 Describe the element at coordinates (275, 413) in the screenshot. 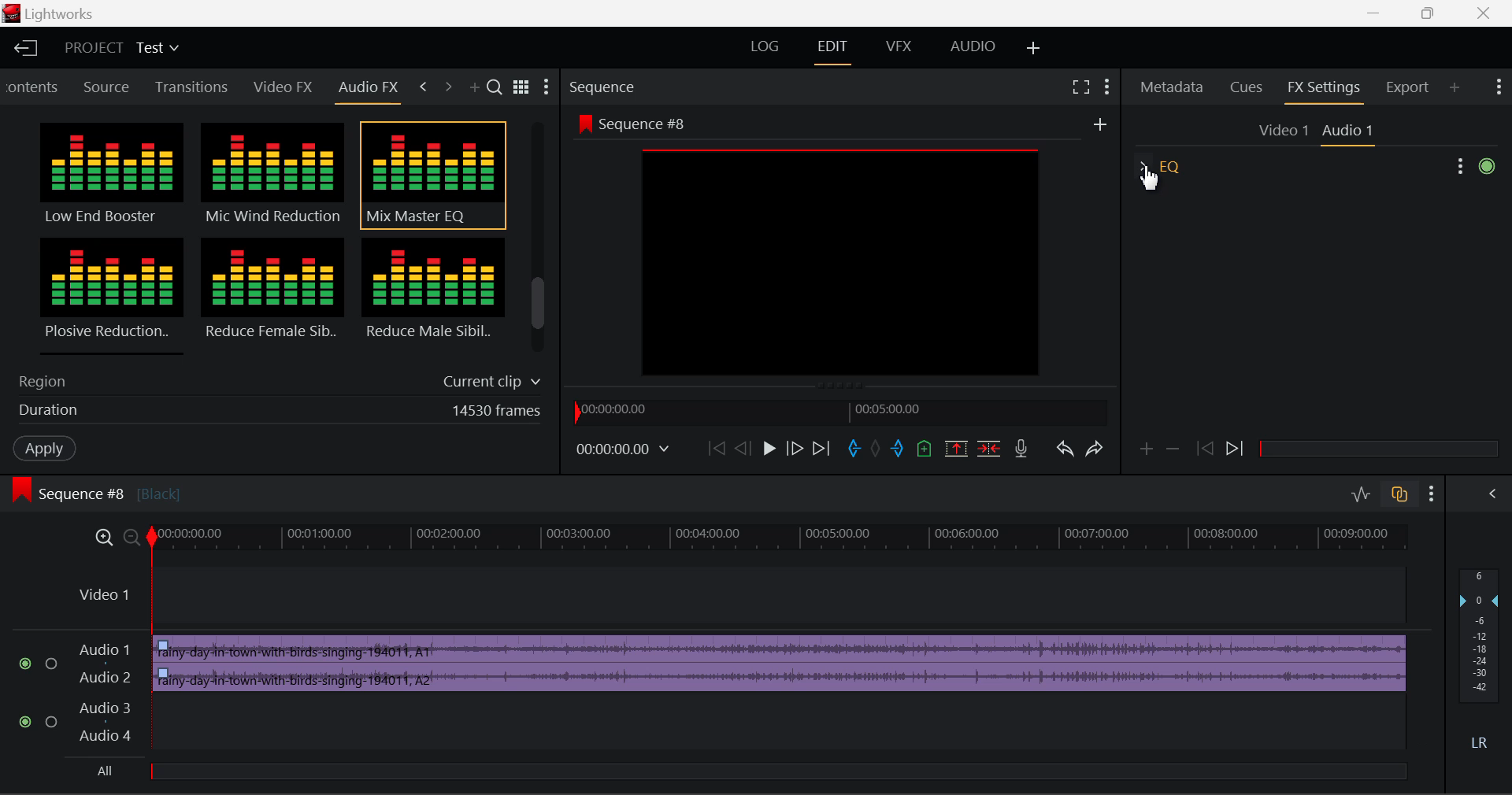

I see `Duration` at that location.